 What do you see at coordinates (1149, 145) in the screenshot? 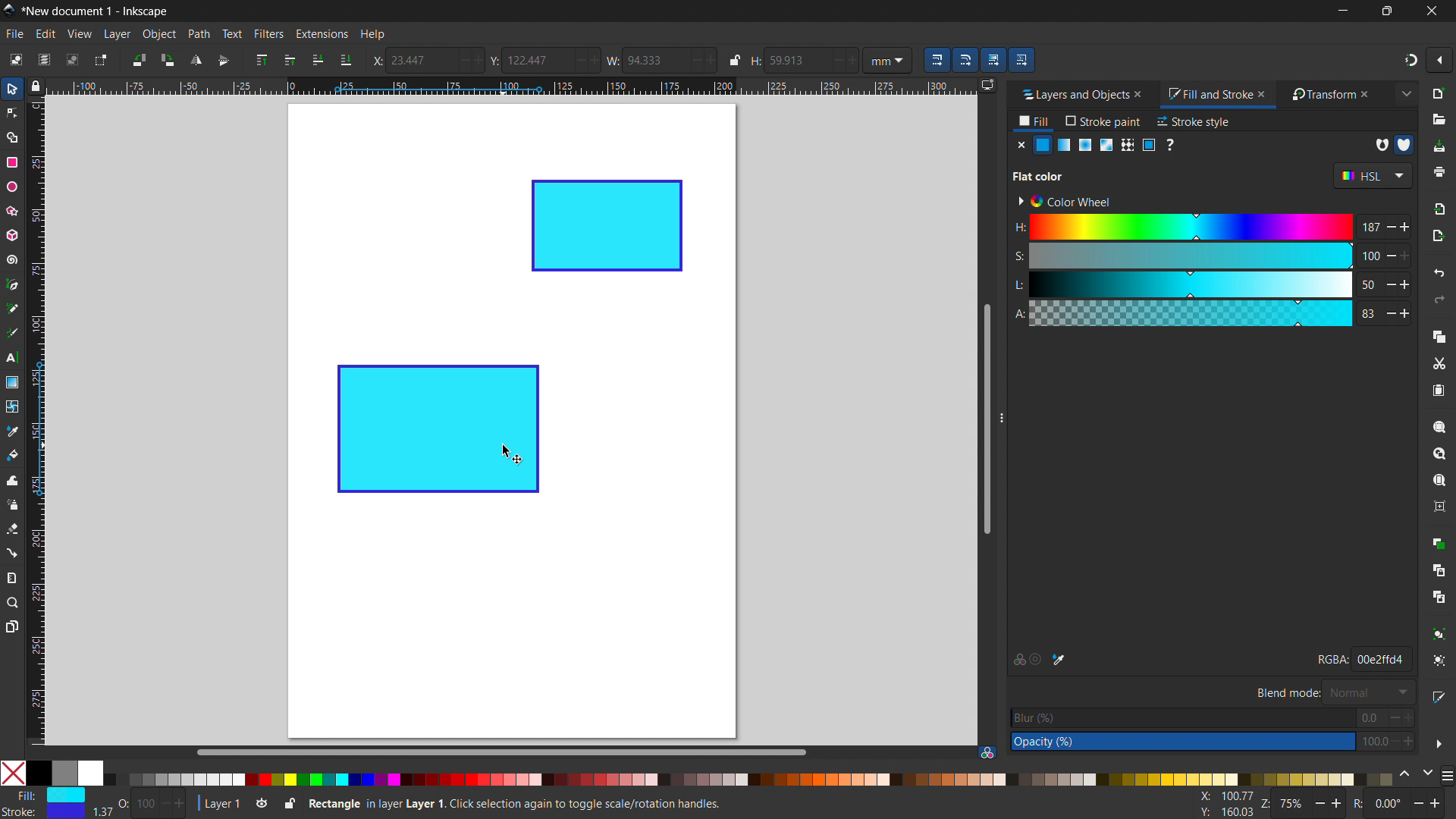
I see `swatch` at bounding box center [1149, 145].